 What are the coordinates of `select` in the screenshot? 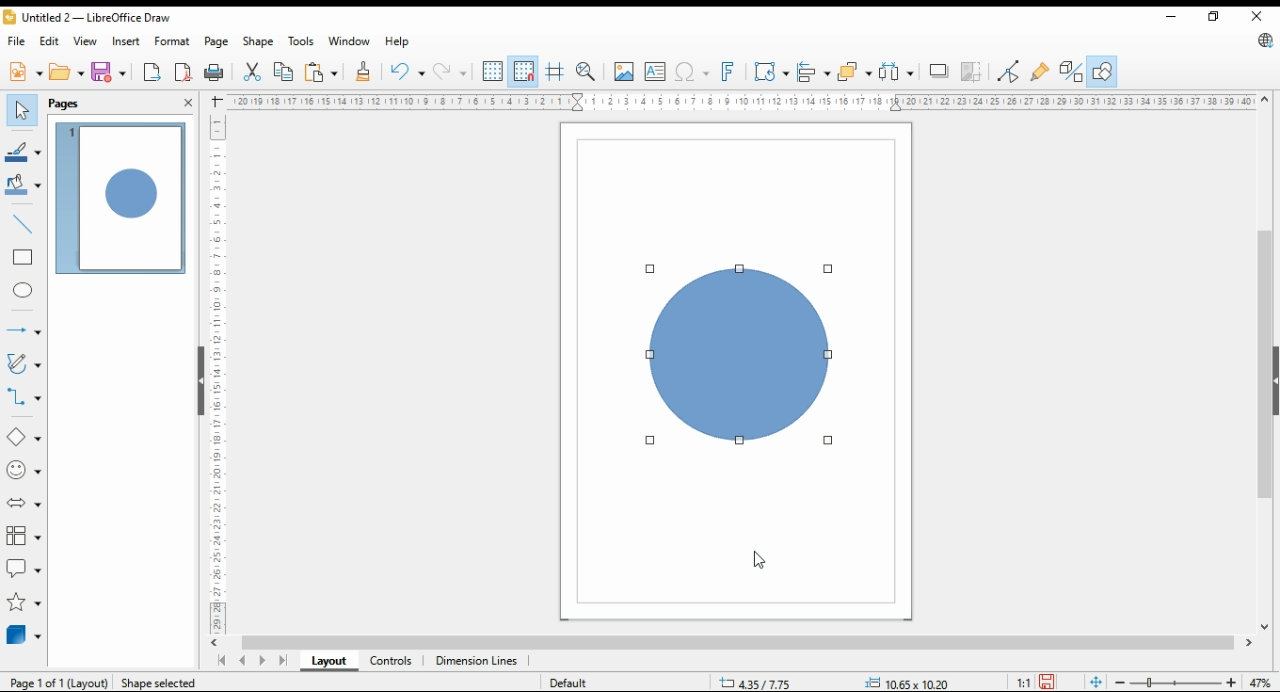 It's located at (22, 110).